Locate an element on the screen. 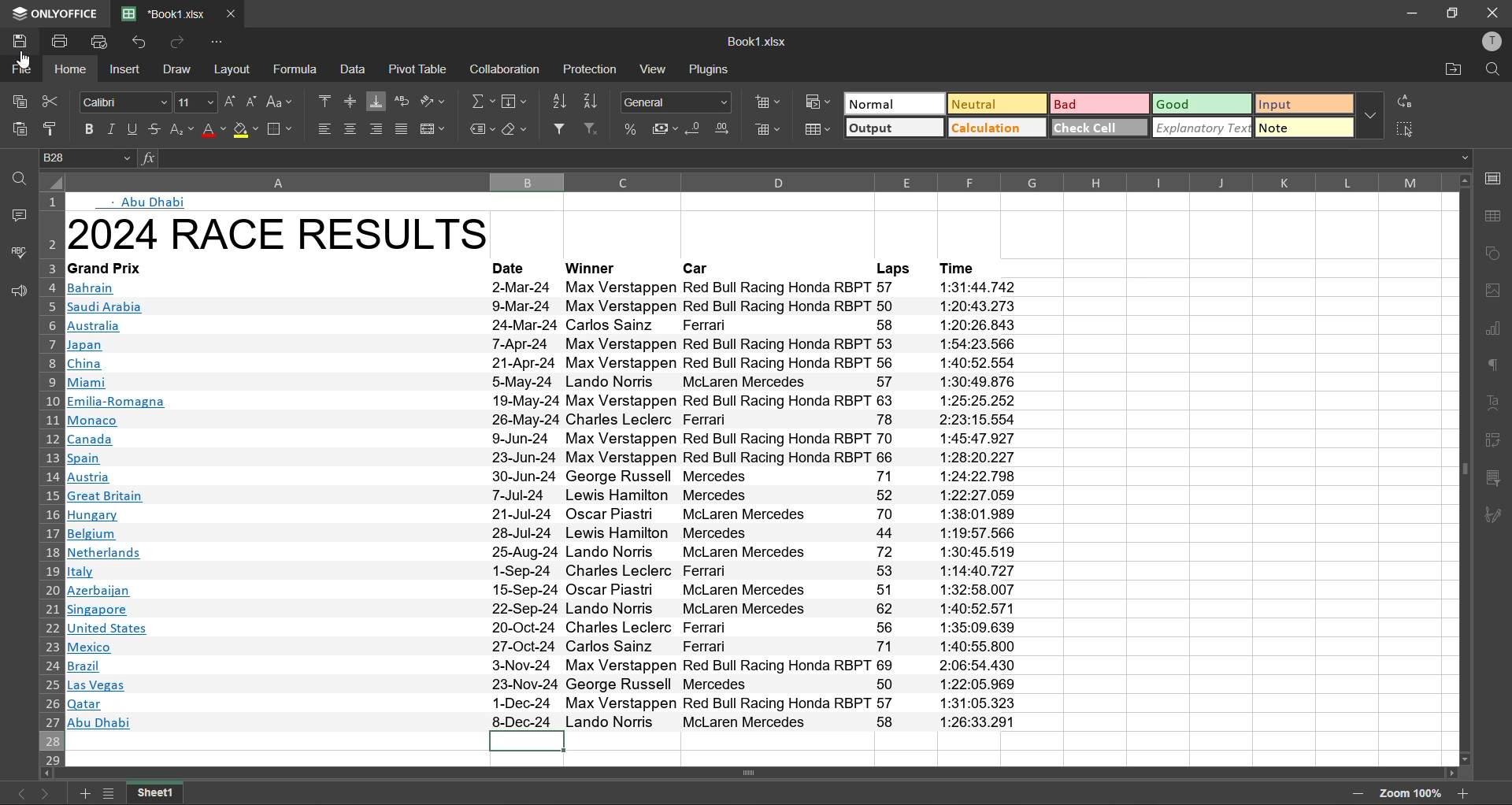 Image resolution: width=1512 pixels, height=805 pixels. align top is located at coordinates (326, 100).